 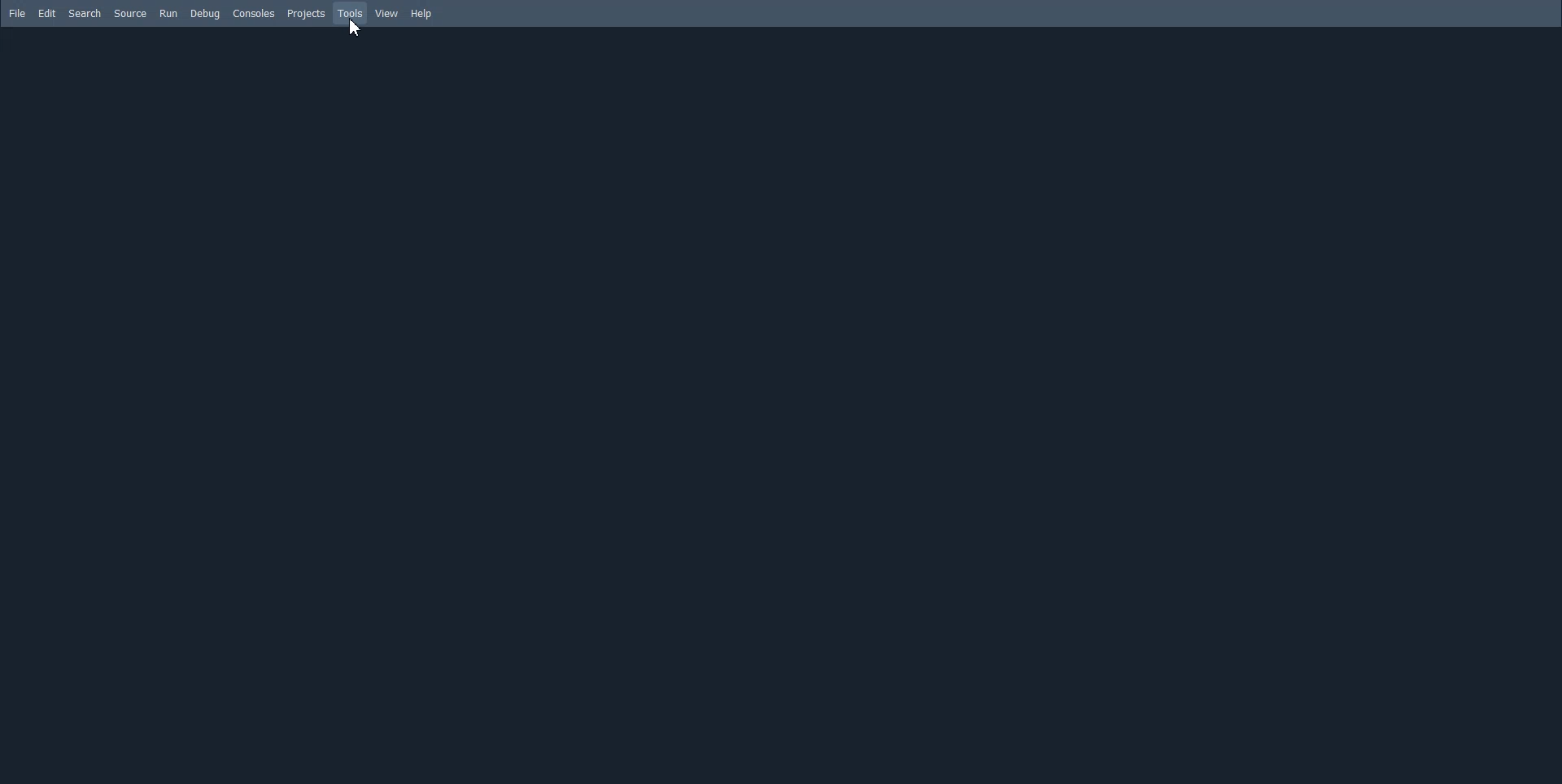 What do you see at coordinates (421, 14) in the screenshot?
I see `Help` at bounding box center [421, 14].